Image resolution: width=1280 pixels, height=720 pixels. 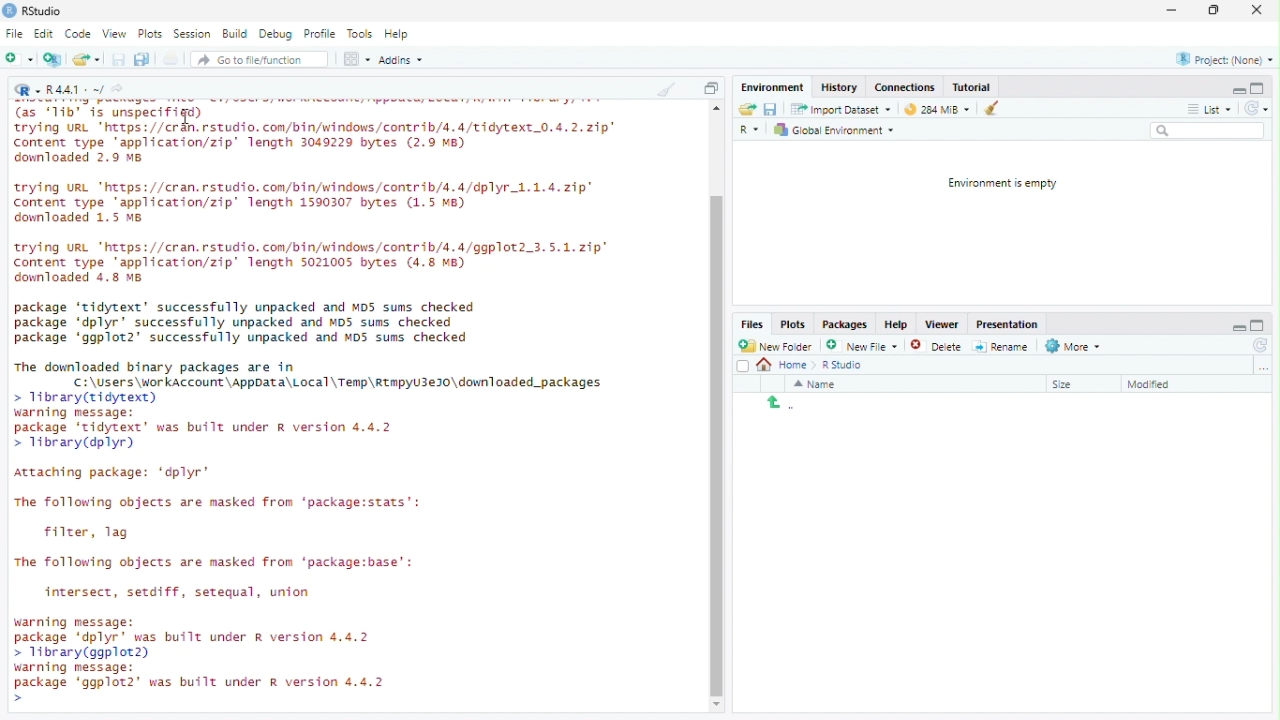 I want to click on Home, so click(x=788, y=365).